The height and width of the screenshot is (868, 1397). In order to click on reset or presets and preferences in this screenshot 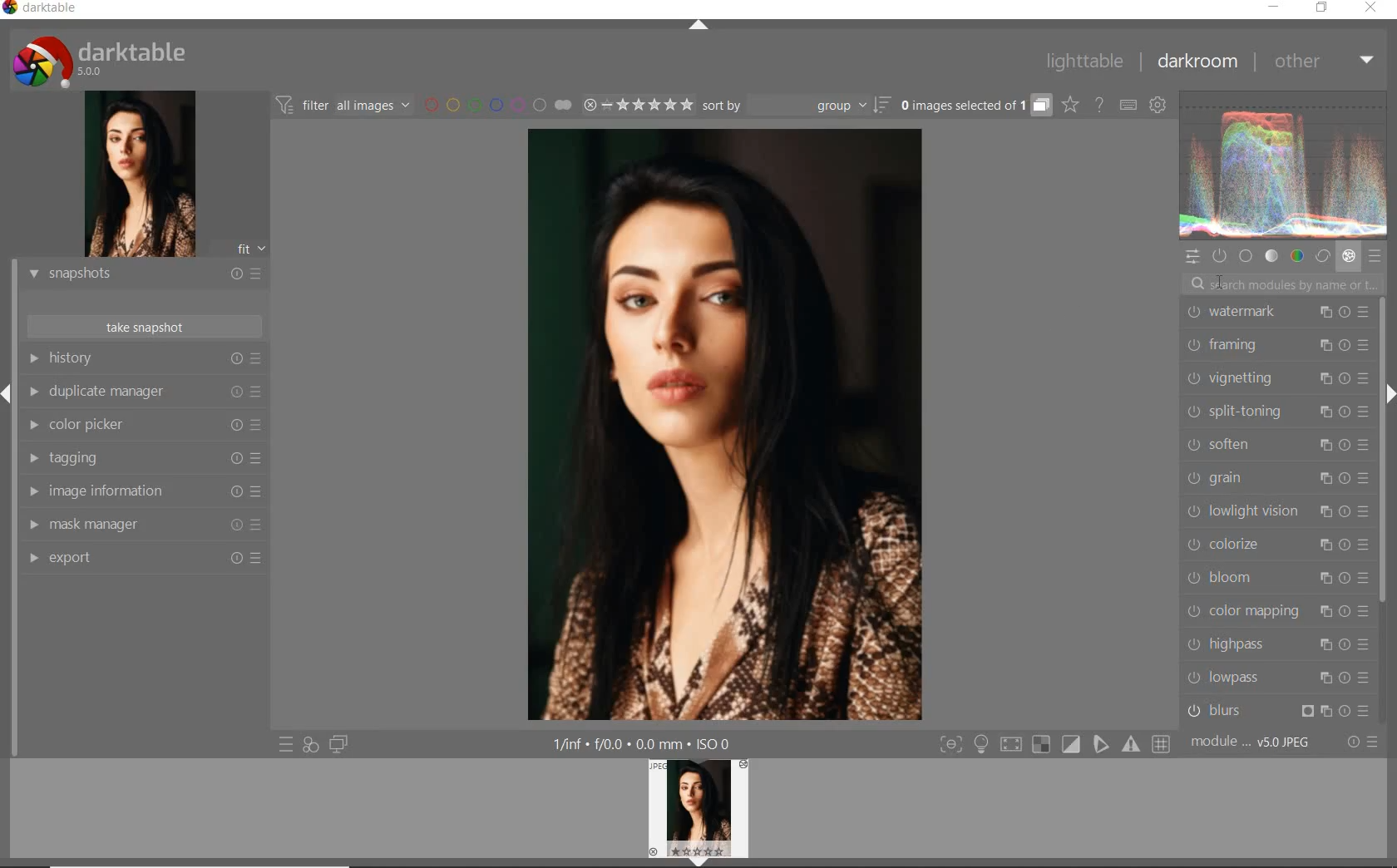, I will do `click(1363, 742)`.